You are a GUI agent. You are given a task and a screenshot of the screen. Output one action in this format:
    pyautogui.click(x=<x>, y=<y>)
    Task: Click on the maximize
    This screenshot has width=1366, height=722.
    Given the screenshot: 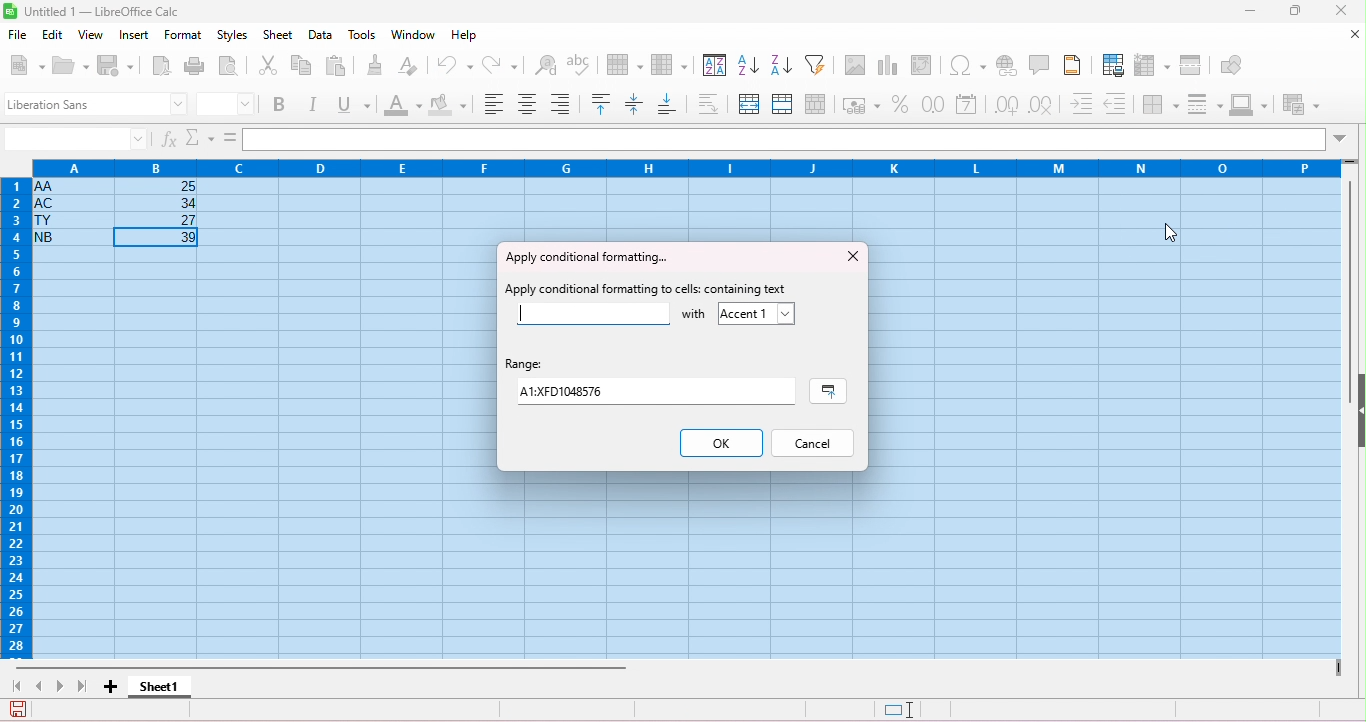 What is the action you would take?
    pyautogui.click(x=1293, y=10)
    